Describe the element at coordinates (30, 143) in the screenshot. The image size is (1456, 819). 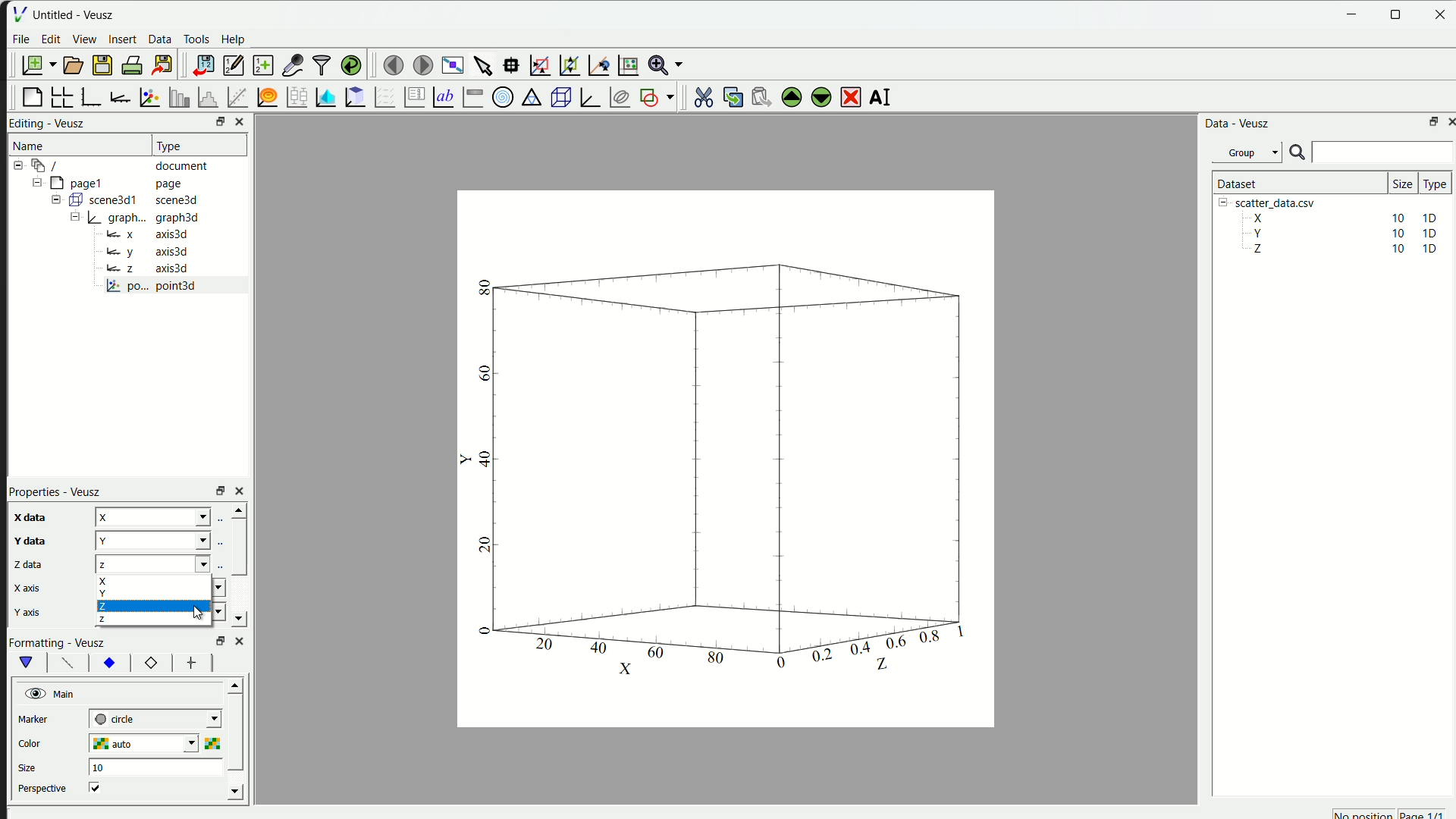
I see `Name` at that location.